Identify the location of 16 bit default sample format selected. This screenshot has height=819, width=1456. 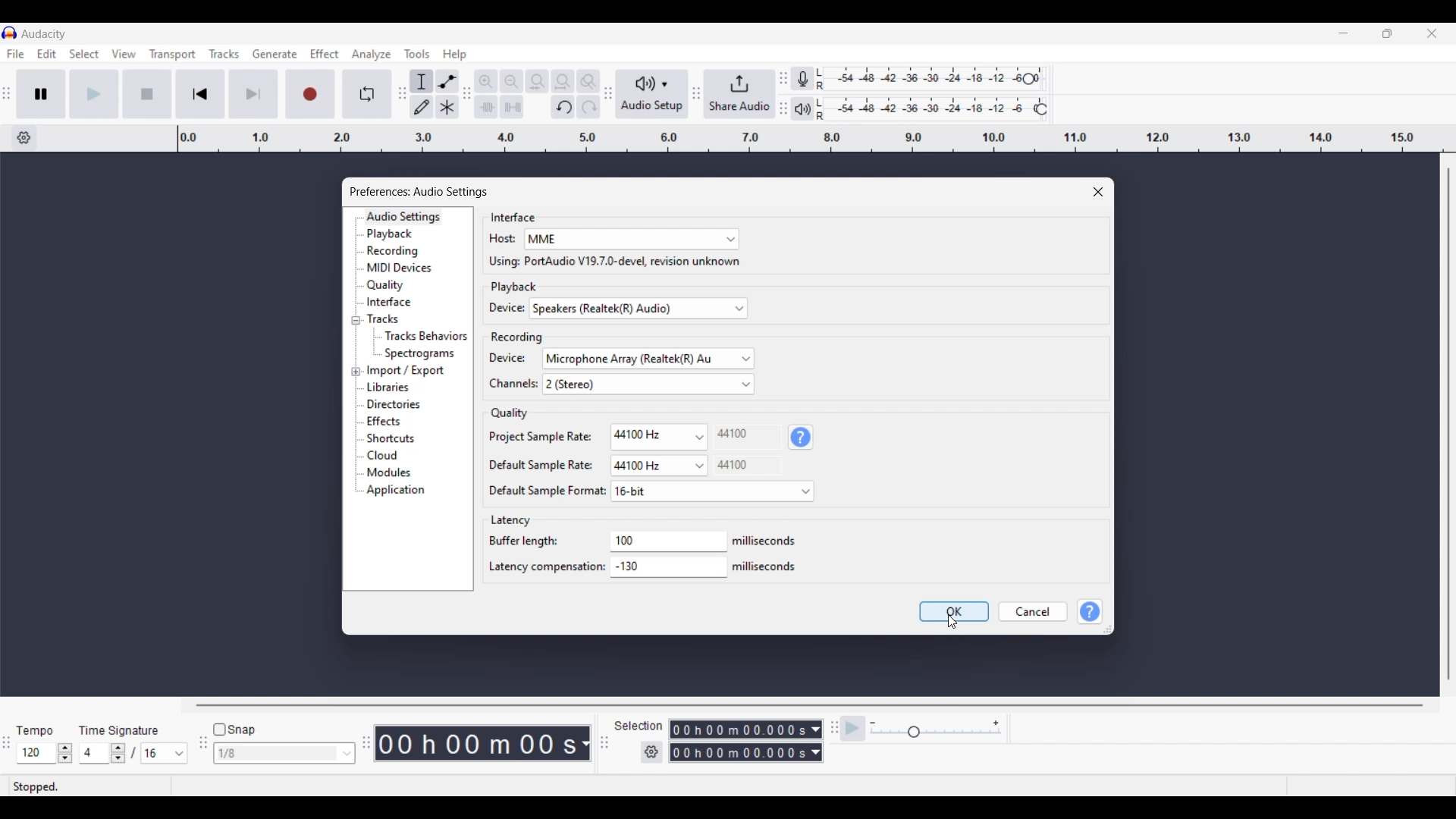
(646, 491).